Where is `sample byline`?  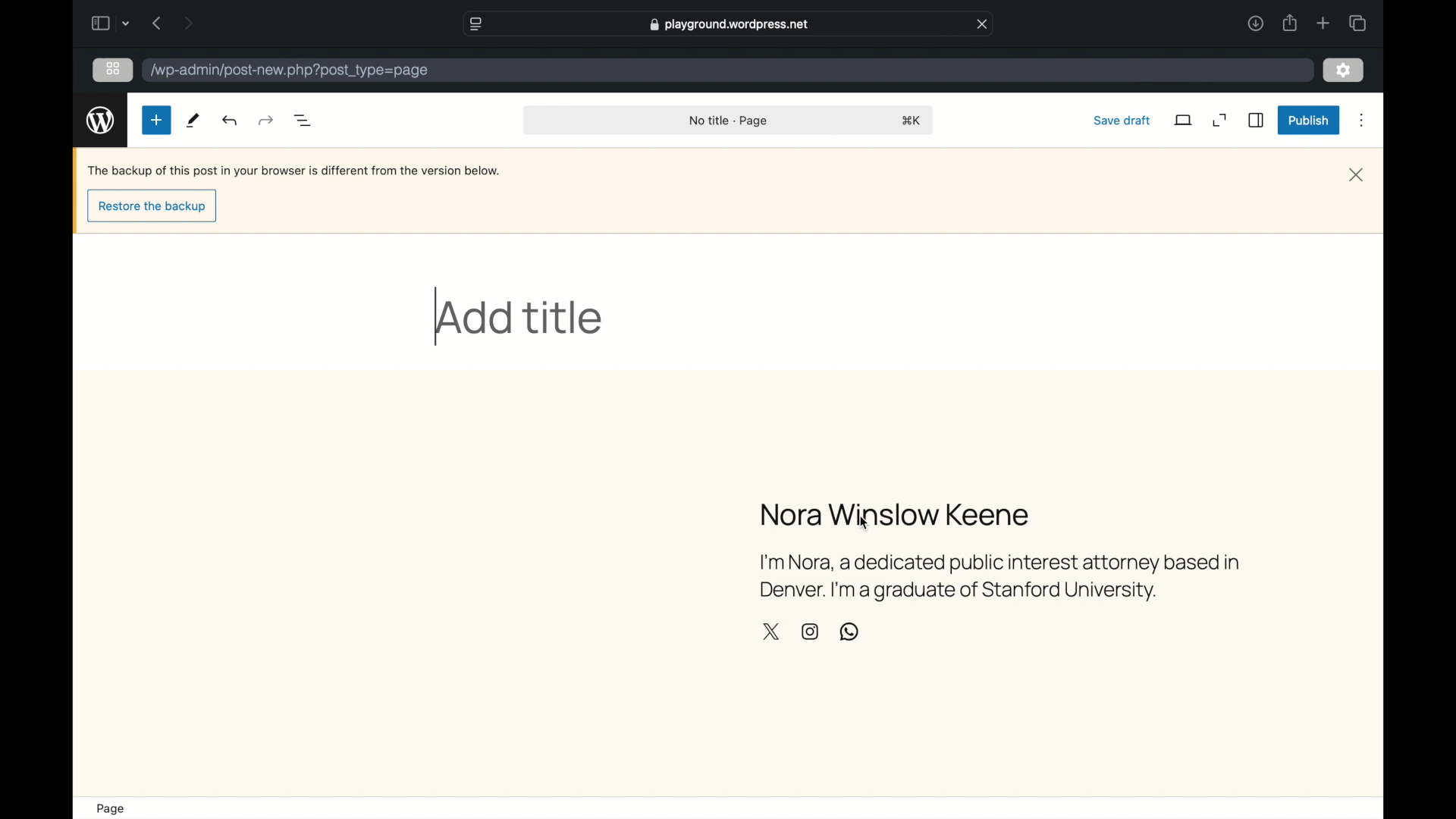
sample byline is located at coordinates (1001, 579).